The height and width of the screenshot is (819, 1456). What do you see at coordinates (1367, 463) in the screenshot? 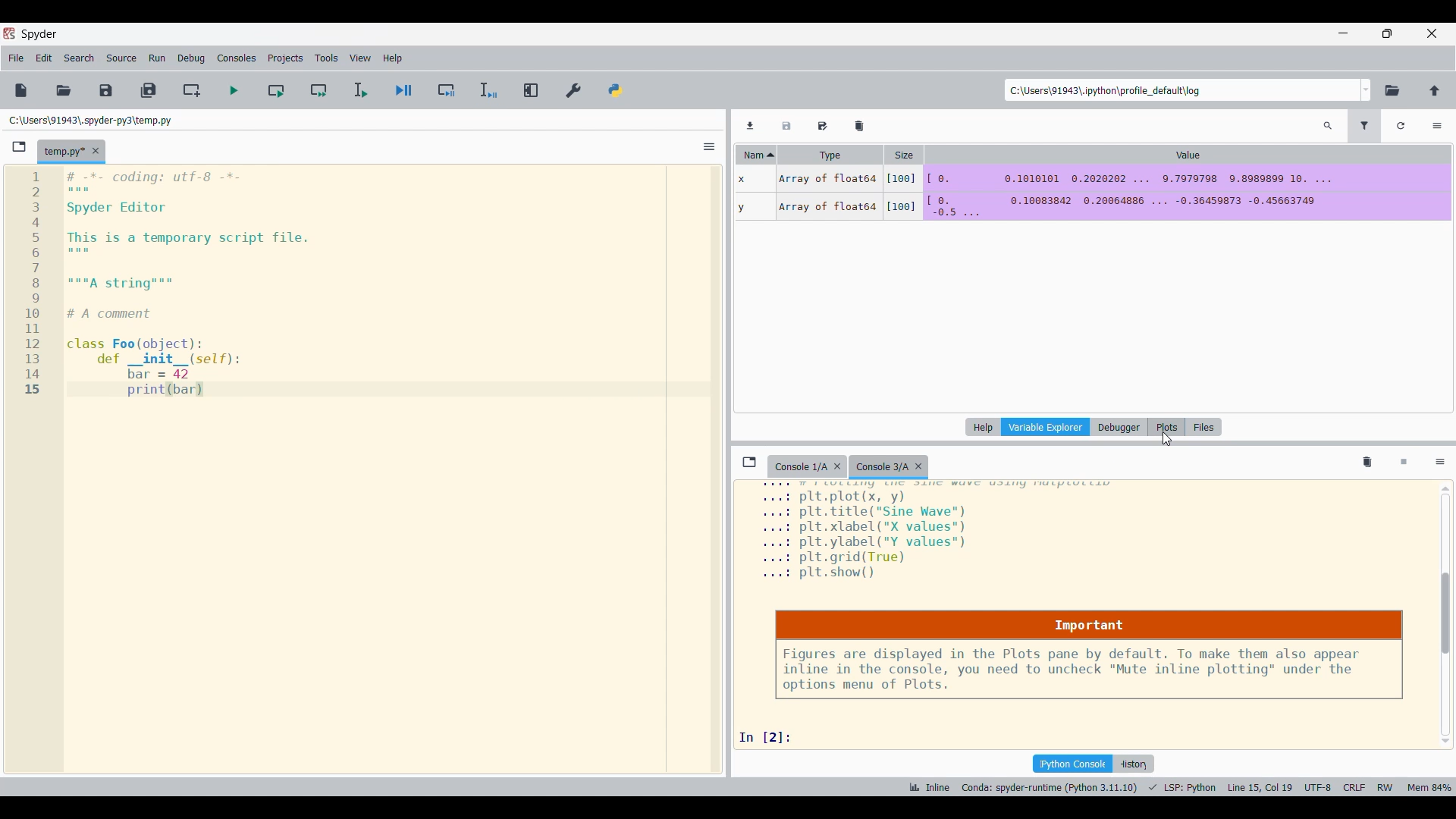
I see `Remove all variables from namespace` at bounding box center [1367, 463].